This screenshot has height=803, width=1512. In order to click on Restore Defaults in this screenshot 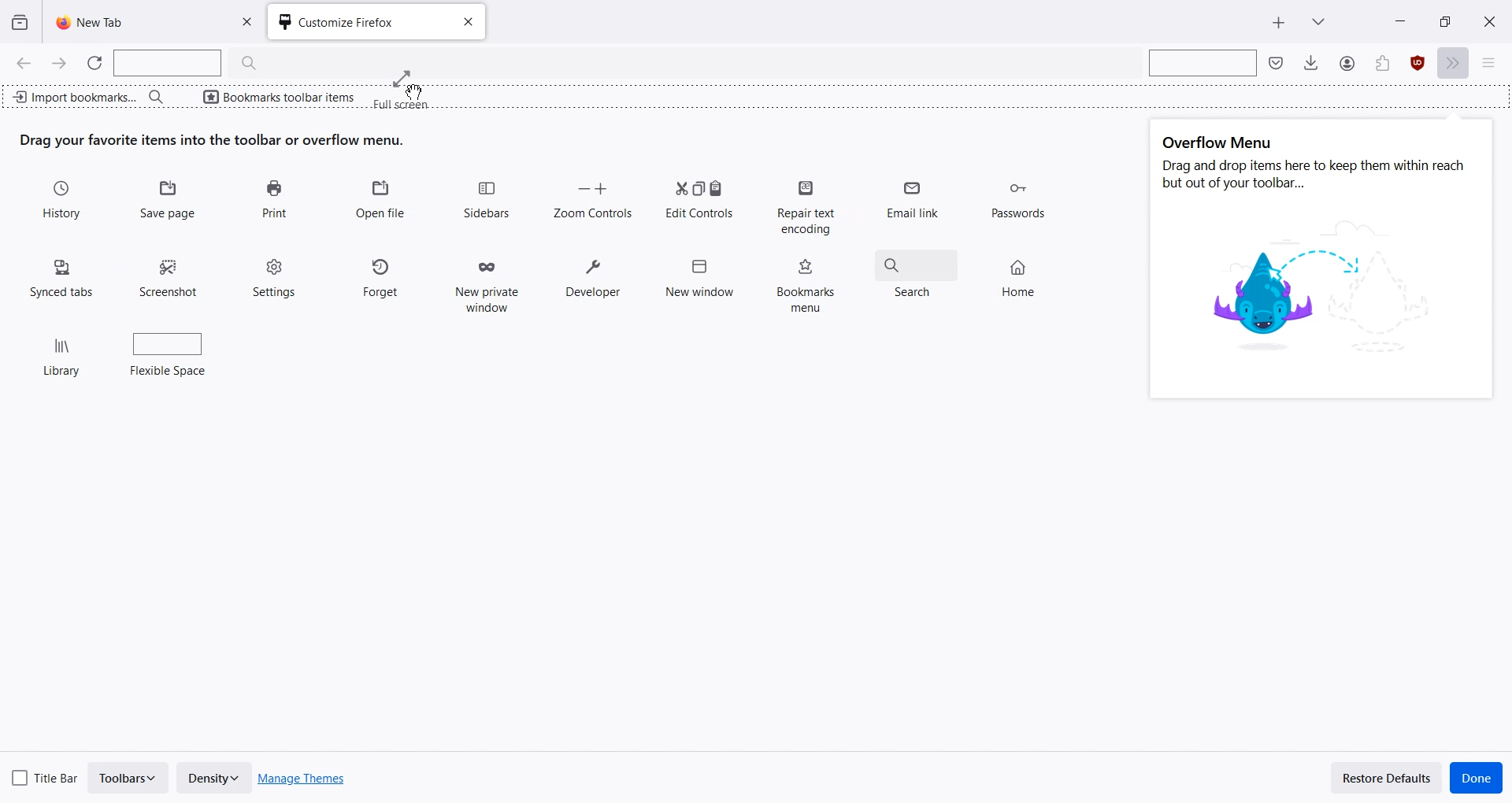, I will do `click(1387, 777)`.